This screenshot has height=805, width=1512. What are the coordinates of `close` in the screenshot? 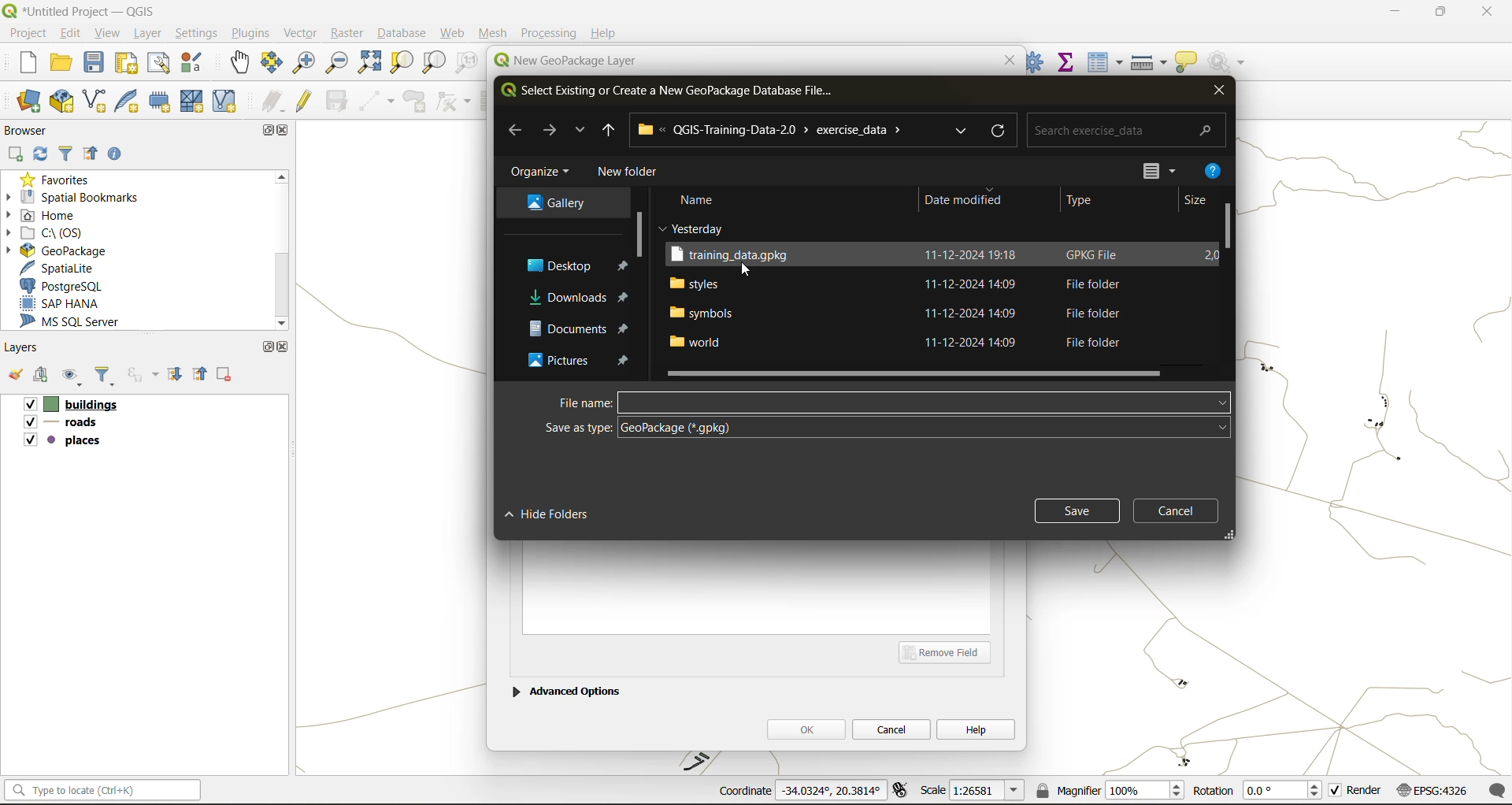 It's located at (283, 347).